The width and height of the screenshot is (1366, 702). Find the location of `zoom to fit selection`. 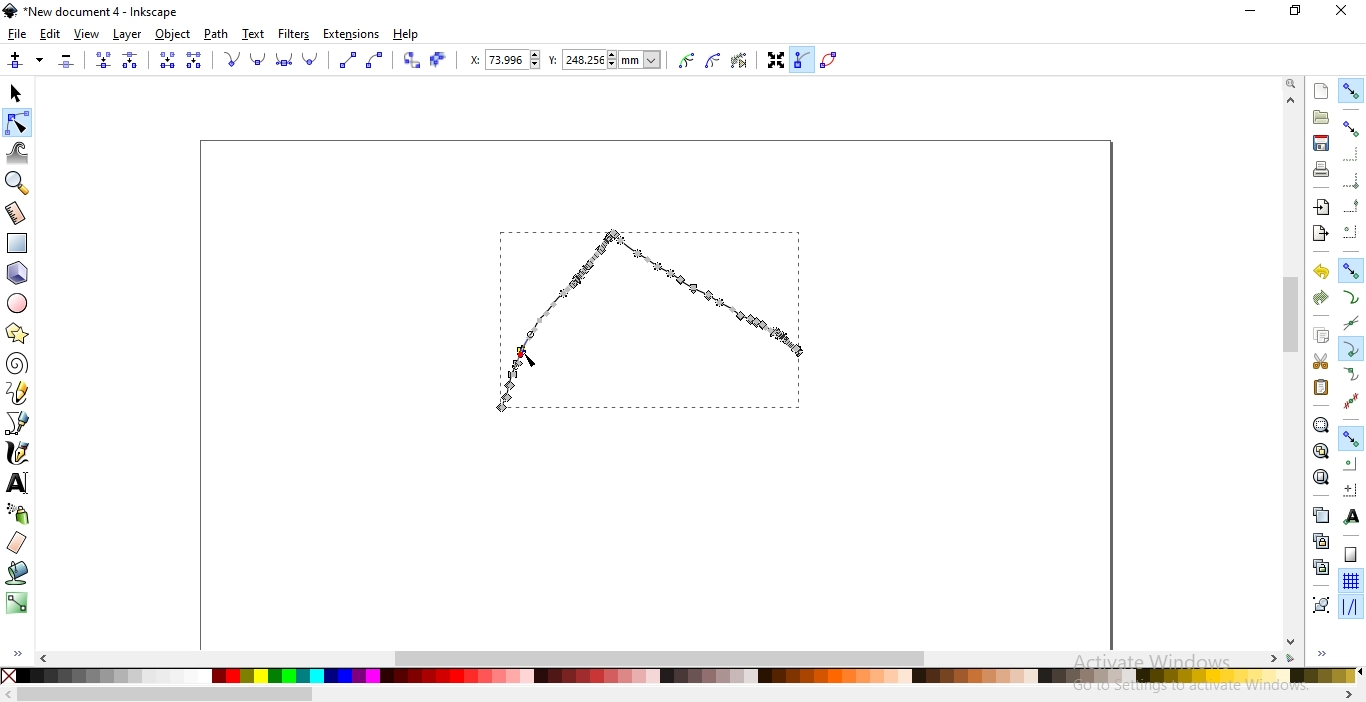

zoom to fit selection is located at coordinates (1319, 424).